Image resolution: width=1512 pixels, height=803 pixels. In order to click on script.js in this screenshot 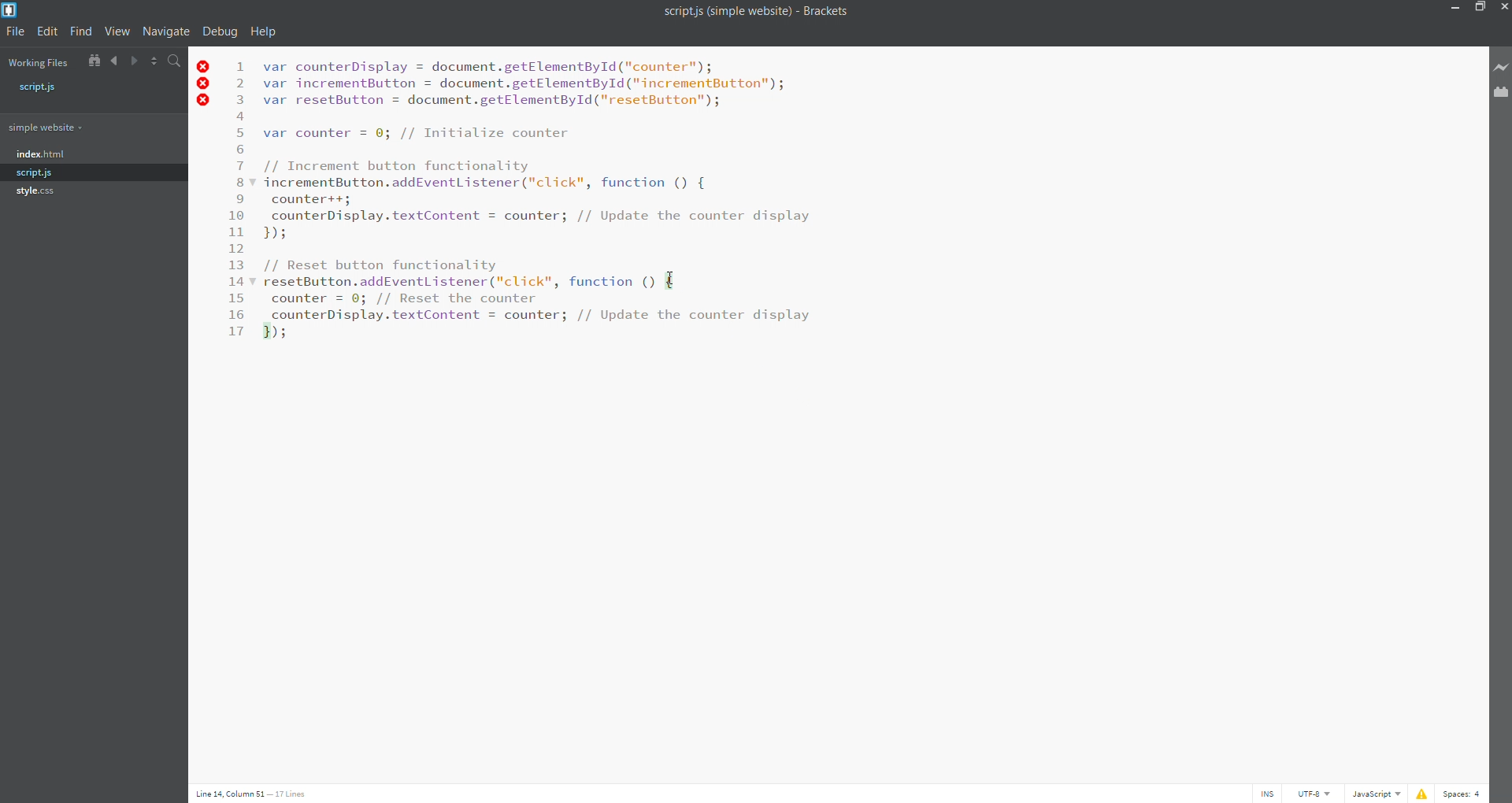, I will do `click(98, 89)`.